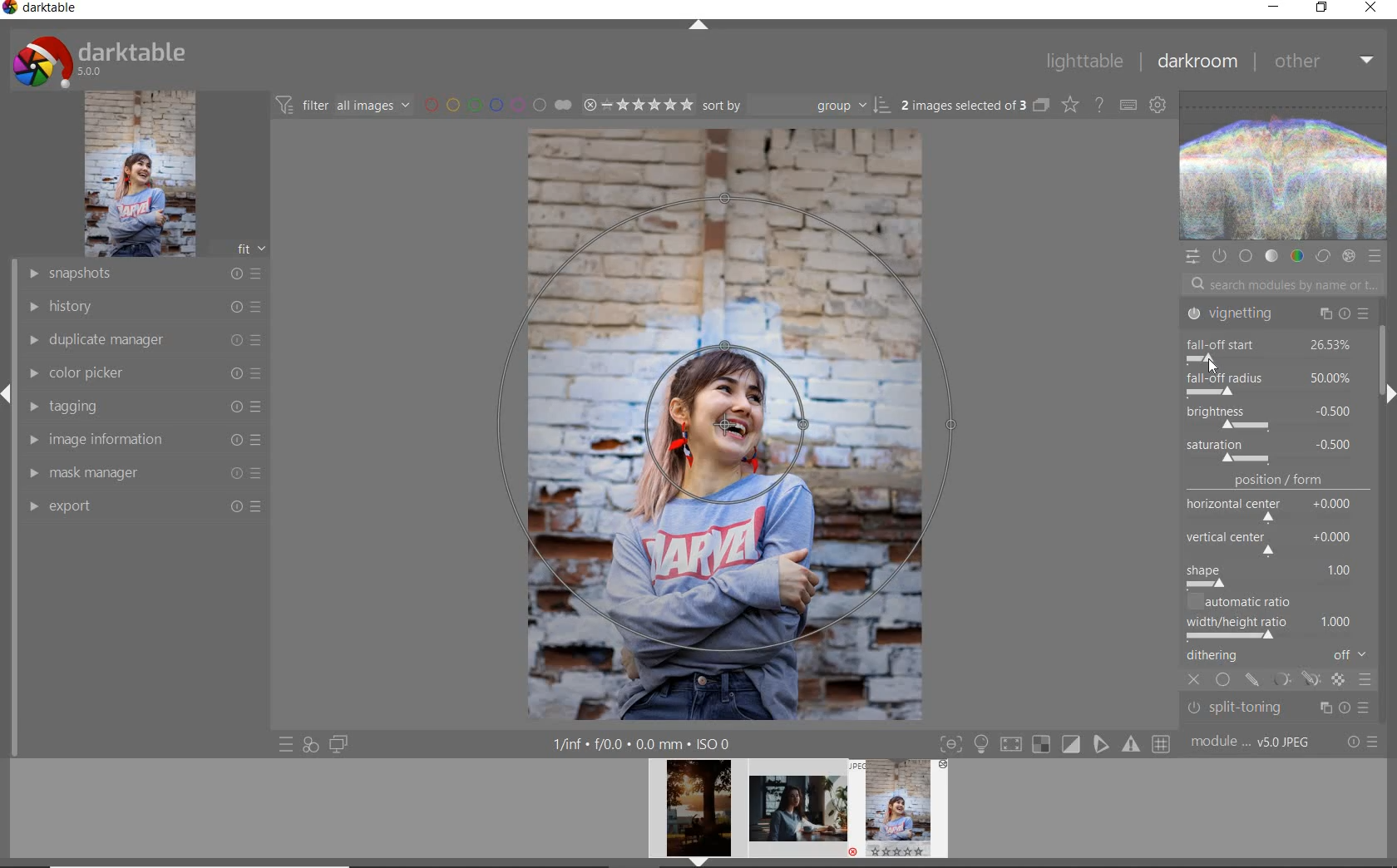 The height and width of the screenshot is (868, 1397). Describe the element at coordinates (143, 373) in the screenshot. I see `color picker` at that location.